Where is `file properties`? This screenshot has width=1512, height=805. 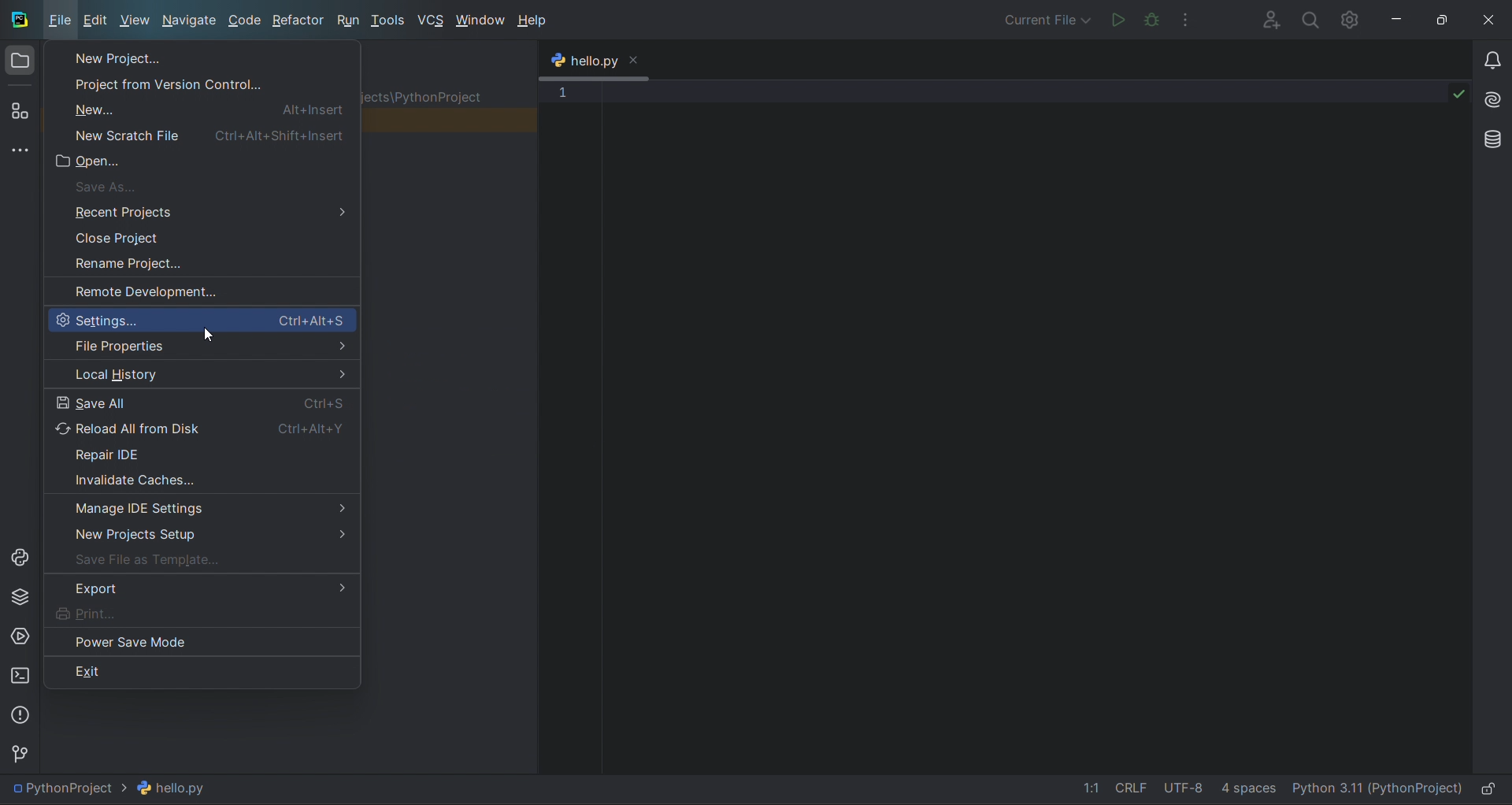 file properties is located at coordinates (206, 347).